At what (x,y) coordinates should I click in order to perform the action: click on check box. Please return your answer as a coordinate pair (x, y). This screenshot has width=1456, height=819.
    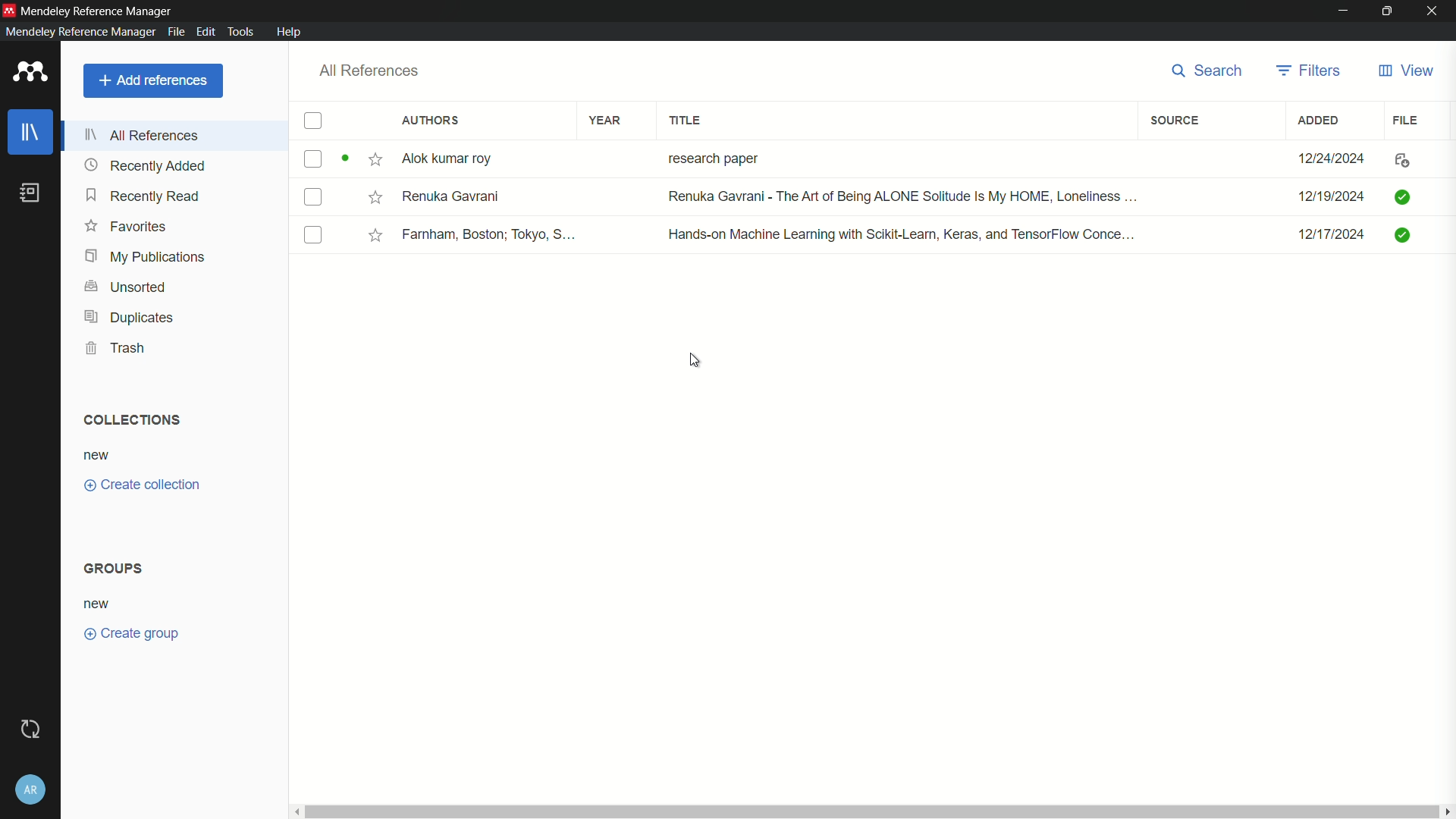
    Looking at the image, I should click on (315, 122).